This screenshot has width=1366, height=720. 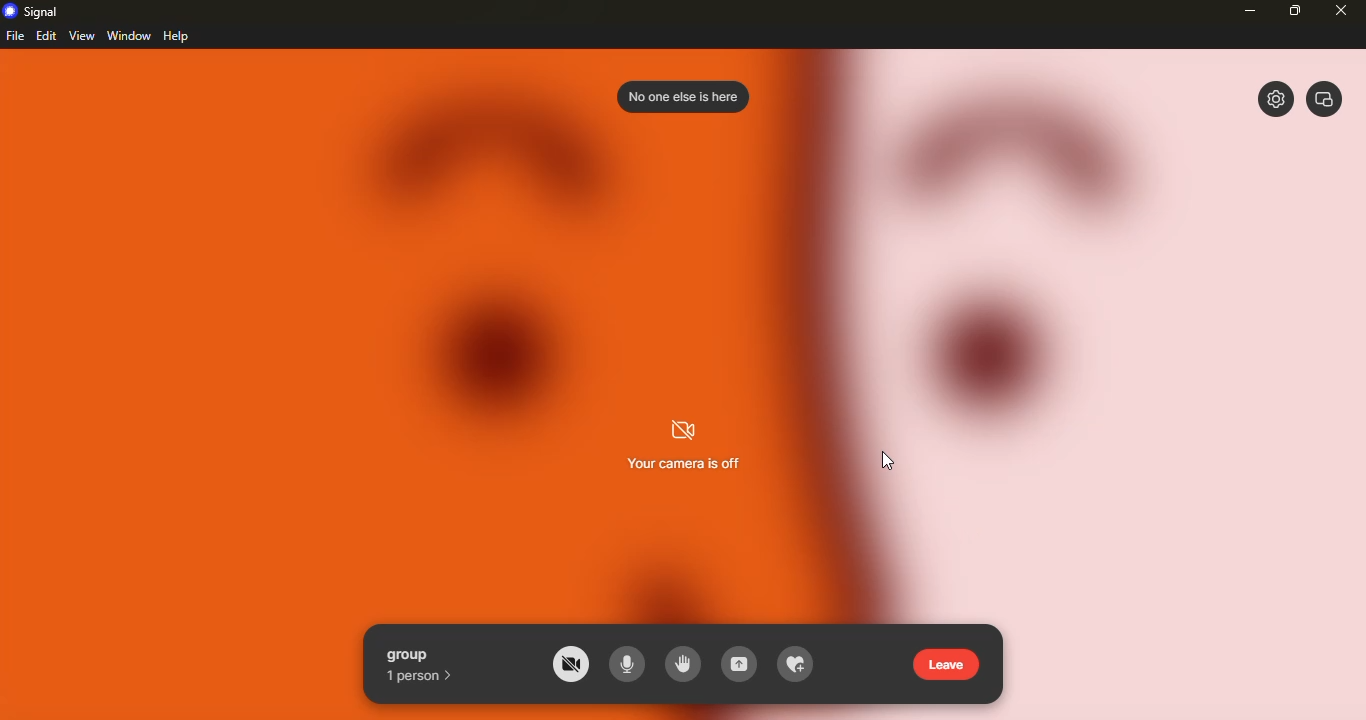 What do you see at coordinates (423, 676) in the screenshot?
I see `1 person` at bounding box center [423, 676].